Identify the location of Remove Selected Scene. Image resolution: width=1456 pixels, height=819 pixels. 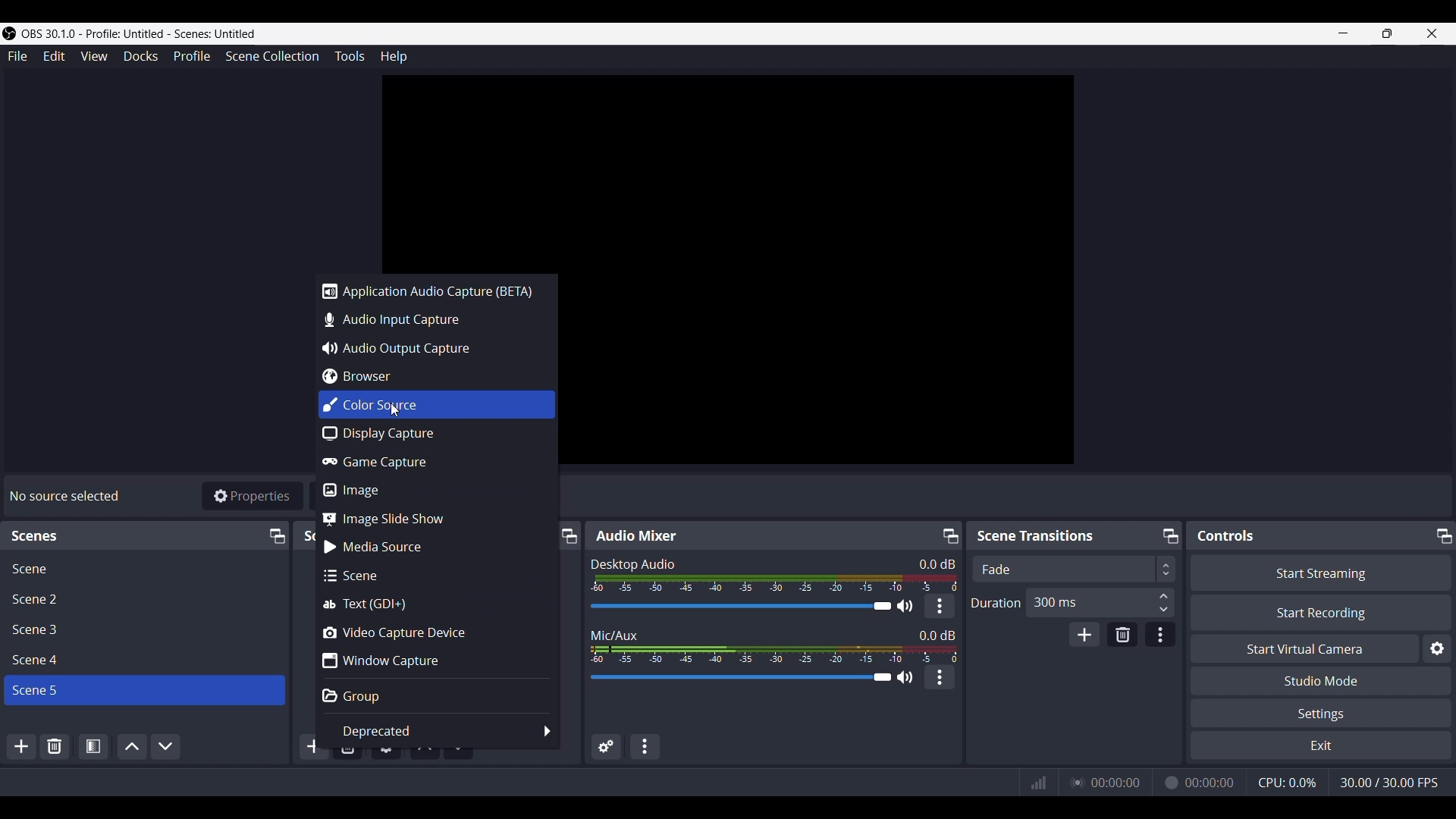
(55, 745).